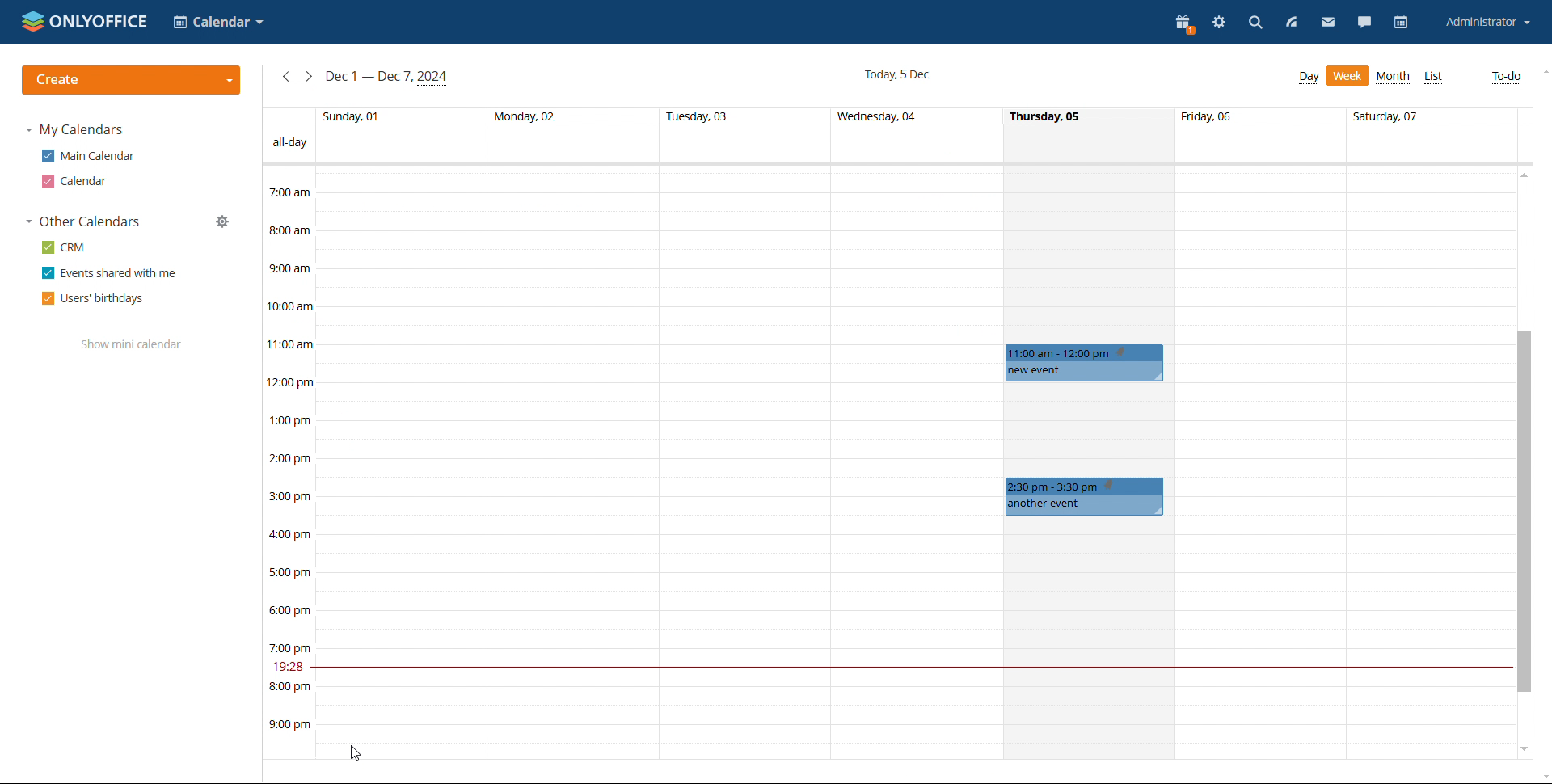  What do you see at coordinates (1082, 352) in the screenshot?
I see `11am to 12pm` at bounding box center [1082, 352].